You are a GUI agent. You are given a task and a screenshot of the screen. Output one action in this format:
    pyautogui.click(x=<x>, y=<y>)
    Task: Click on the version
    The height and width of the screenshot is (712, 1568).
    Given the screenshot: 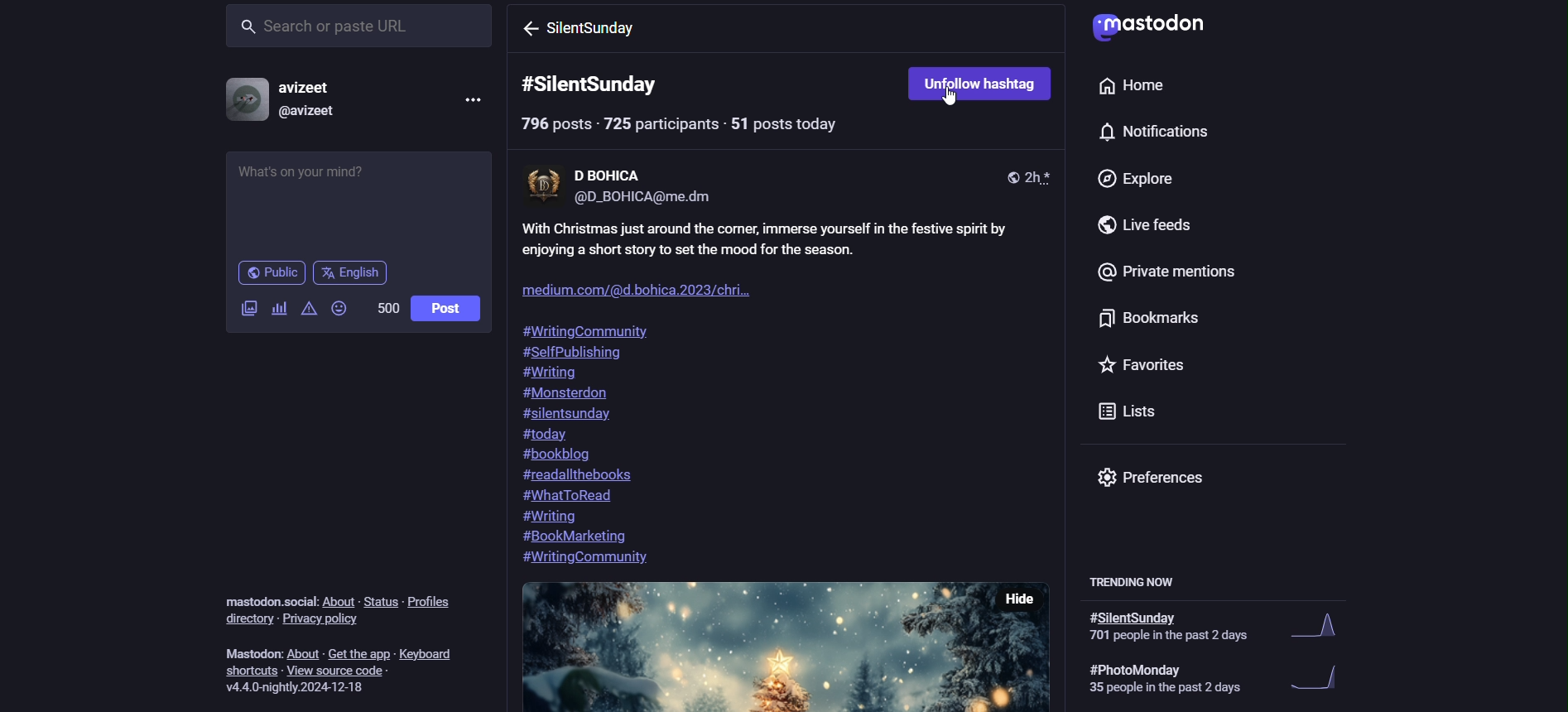 What is the action you would take?
    pyautogui.click(x=300, y=686)
    